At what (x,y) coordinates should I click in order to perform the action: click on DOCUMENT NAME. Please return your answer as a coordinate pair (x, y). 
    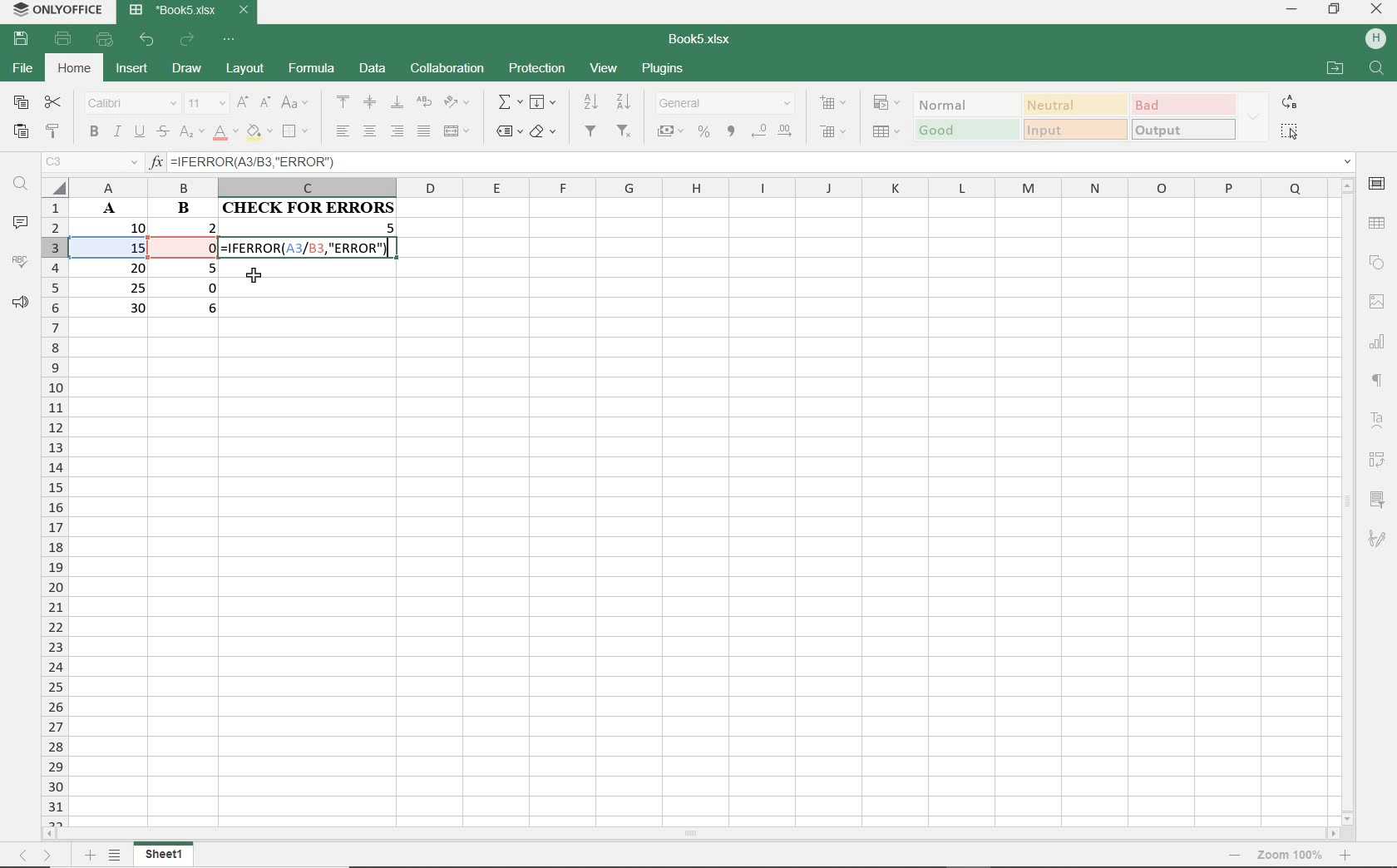
    Looking at the image, I should click on (700, 38).